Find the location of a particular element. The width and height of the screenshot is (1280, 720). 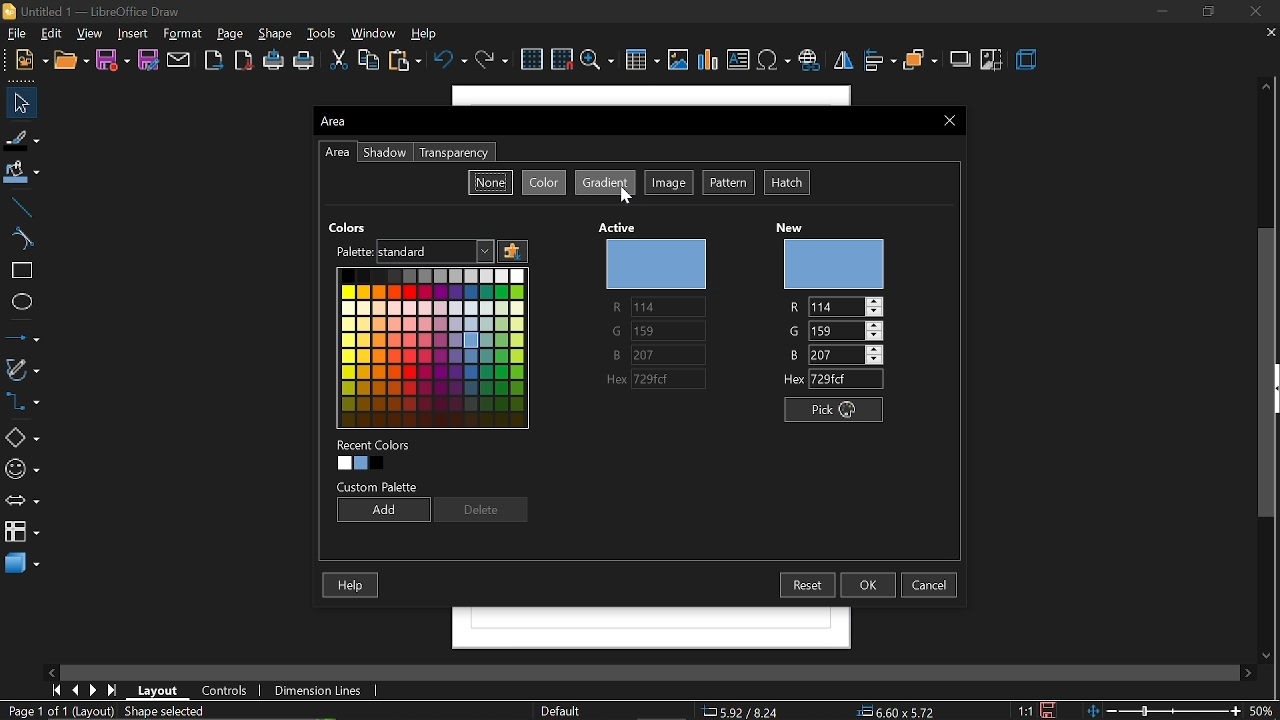

save as is located at coordinates (150, 61).